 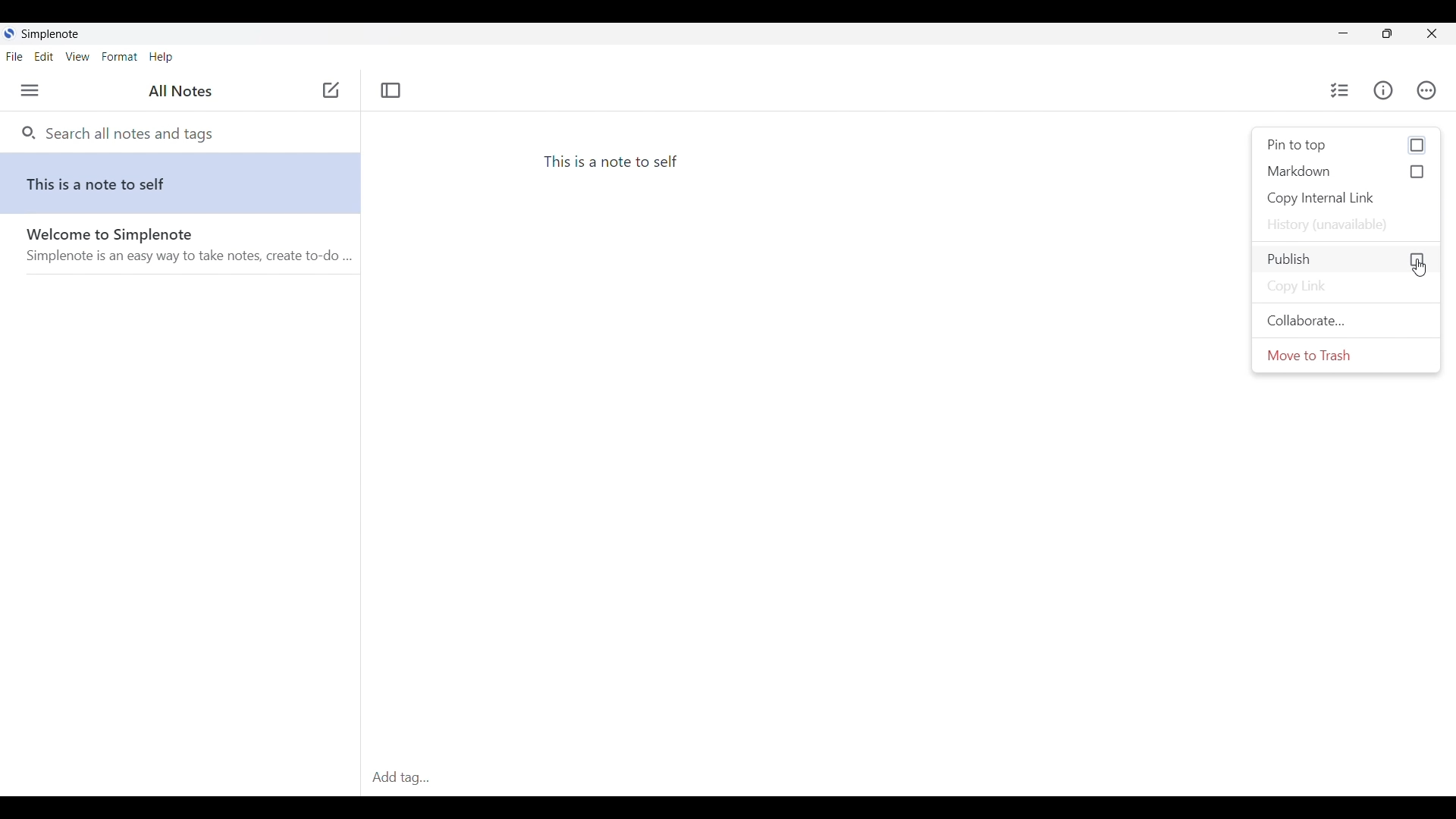 I want to click on Add tag, so click(x=406, y=778).